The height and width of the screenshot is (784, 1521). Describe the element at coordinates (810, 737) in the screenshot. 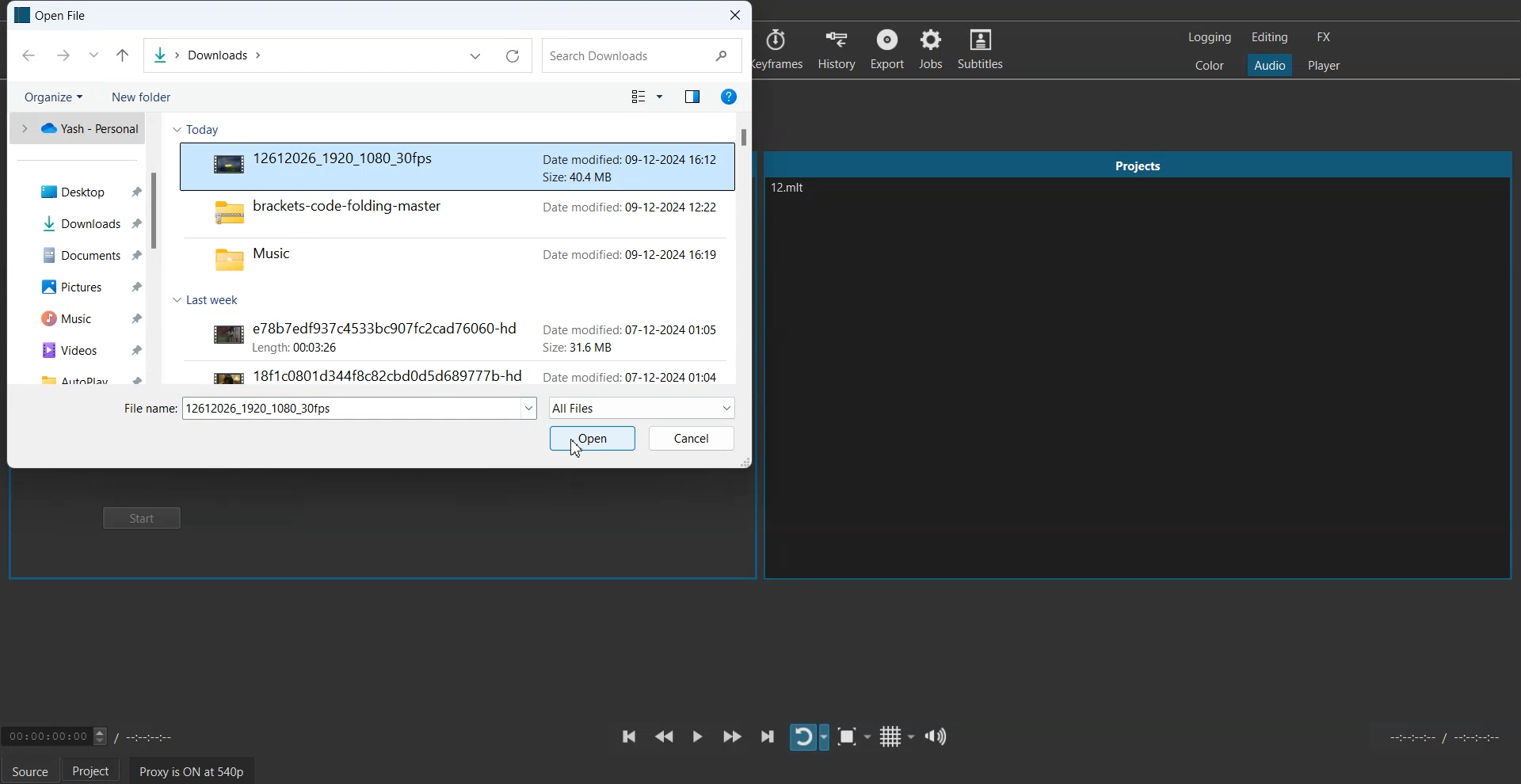

I see `Toggle player looping` at that location.